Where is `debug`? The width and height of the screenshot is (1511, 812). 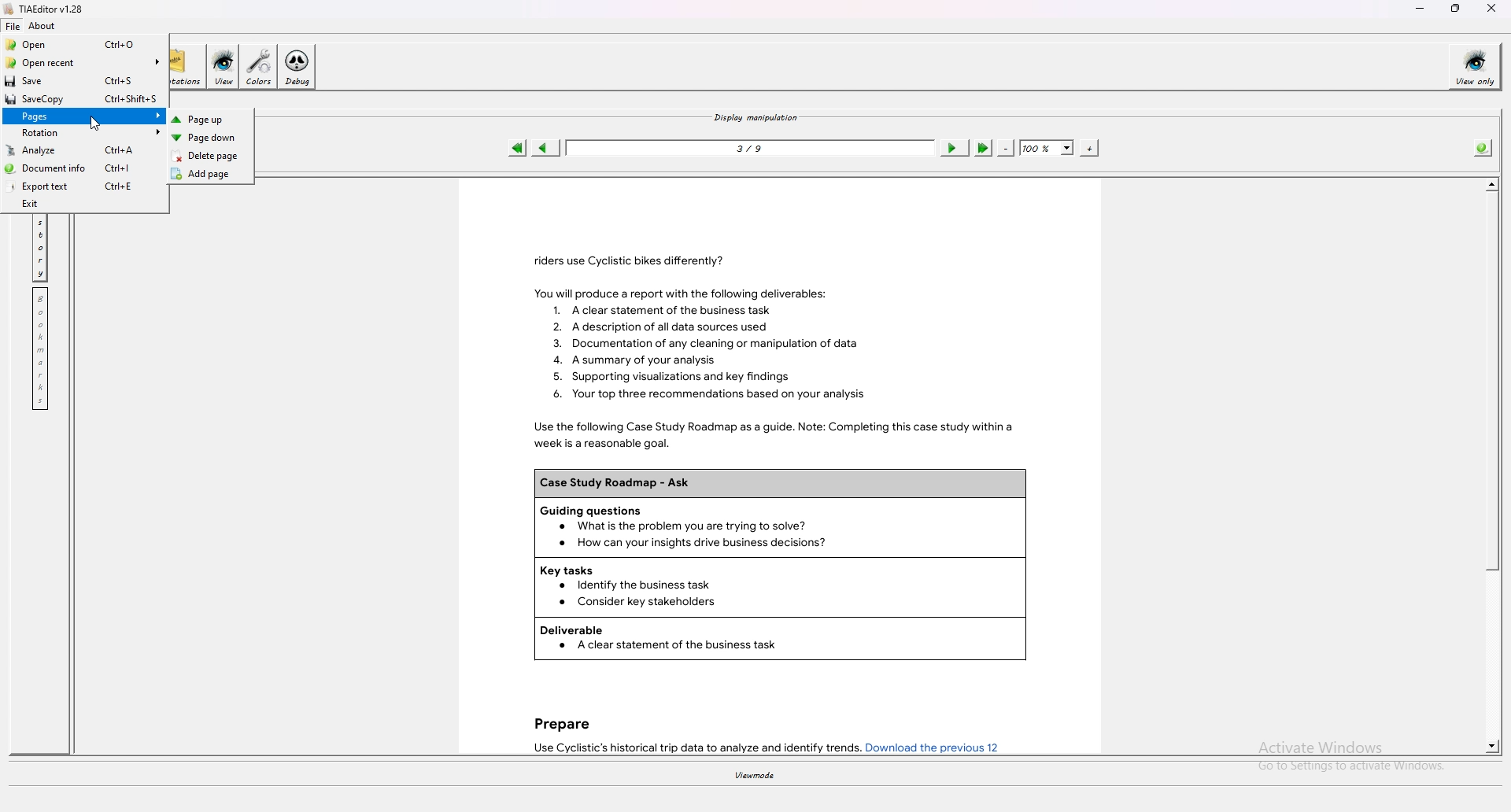 debug is located at coordinates (297, 67).